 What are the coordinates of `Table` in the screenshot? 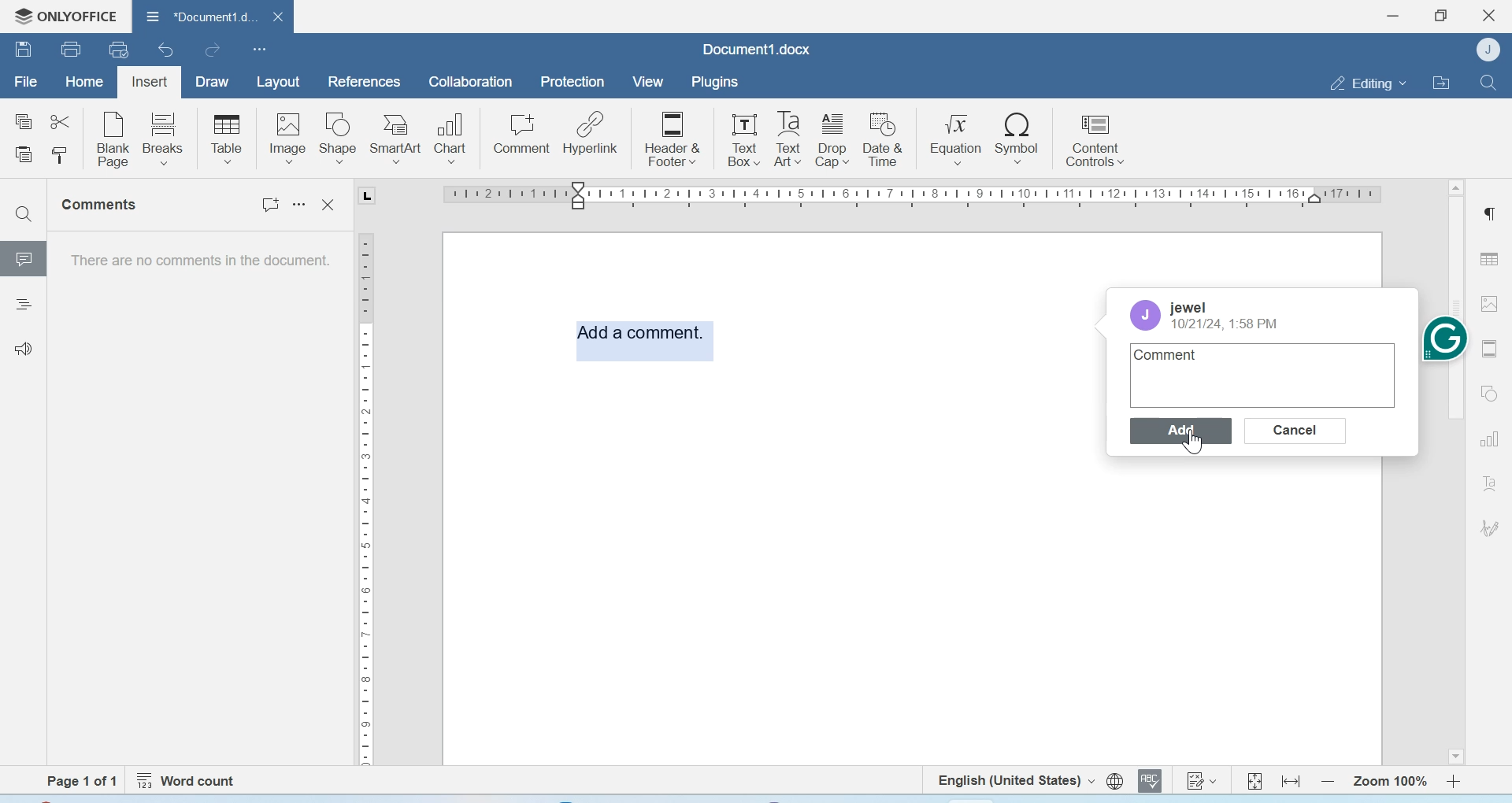 It's located at (1489, 258).